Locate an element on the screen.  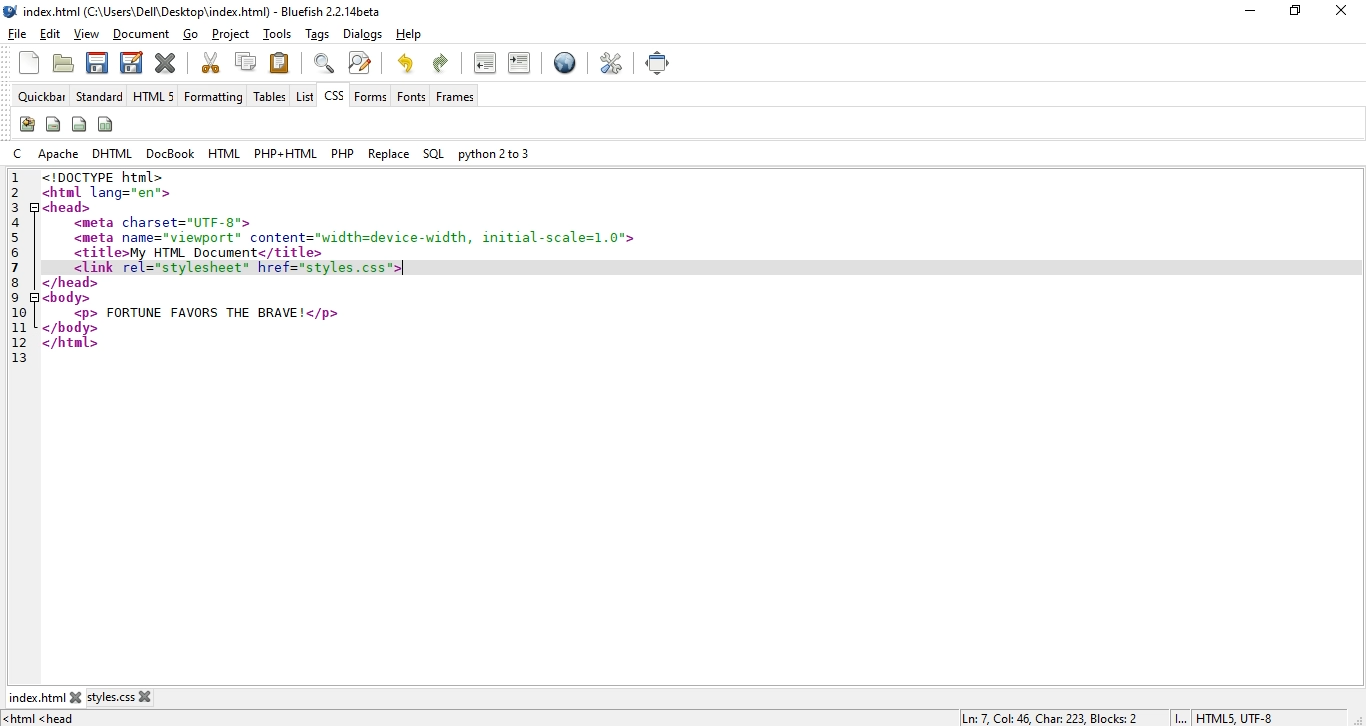
columns is located at coordinates (107, 124).